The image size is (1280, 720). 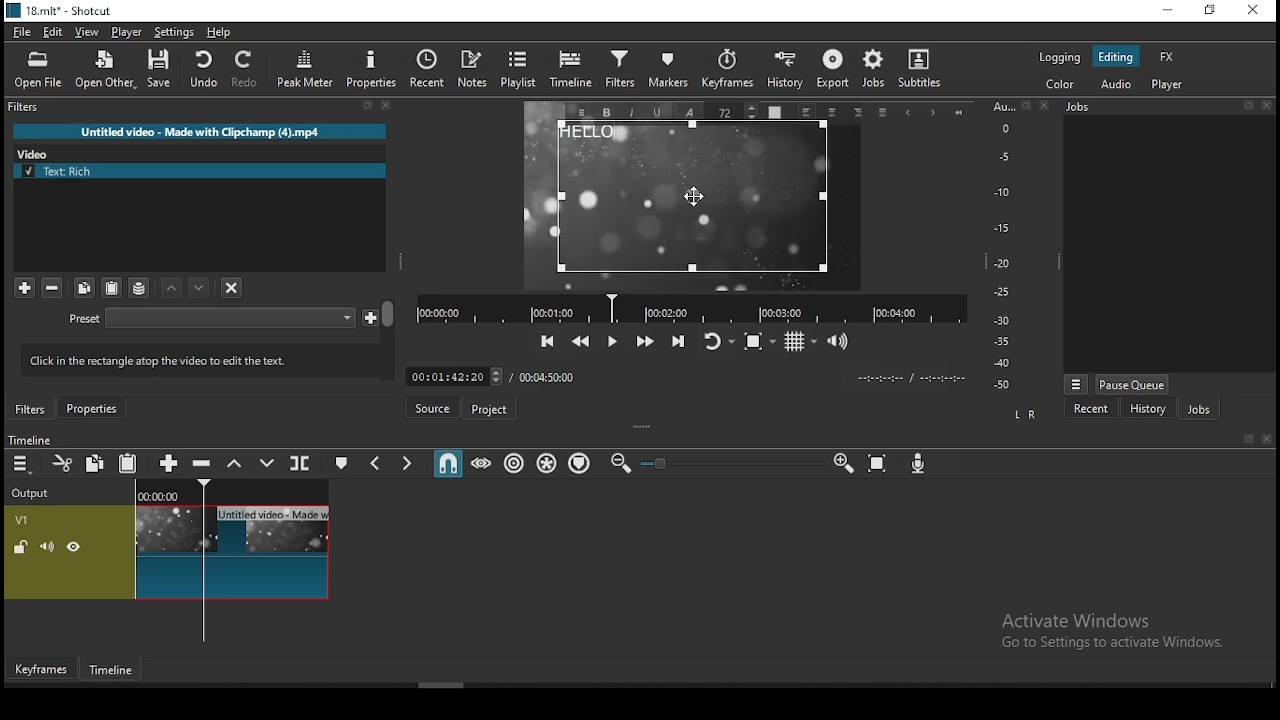 I want to click on lick in the rectangle atop the video to edit the text., so click(x=191, y=358).